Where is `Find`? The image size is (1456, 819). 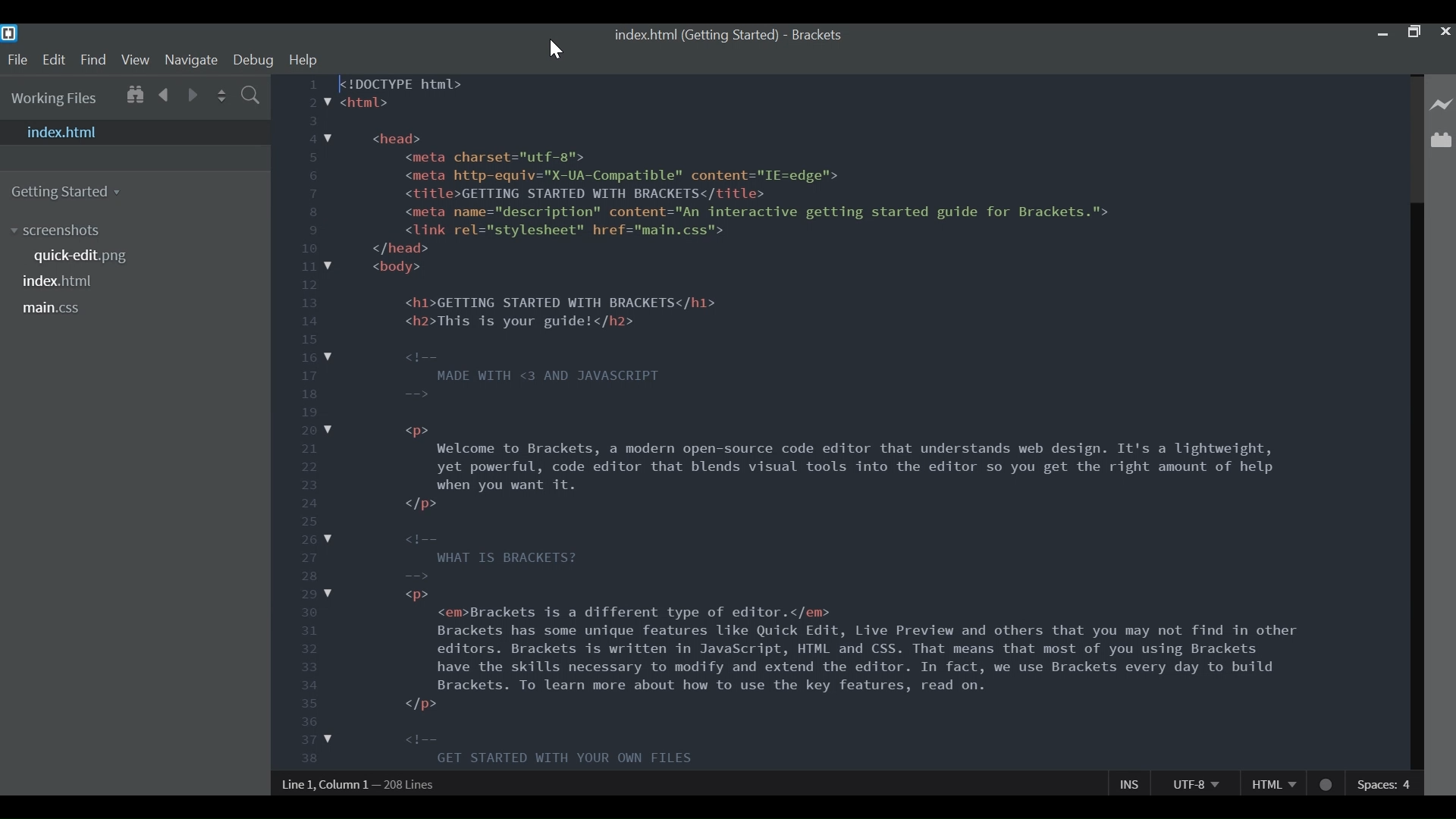
Find is located at coordinates (92, 61).